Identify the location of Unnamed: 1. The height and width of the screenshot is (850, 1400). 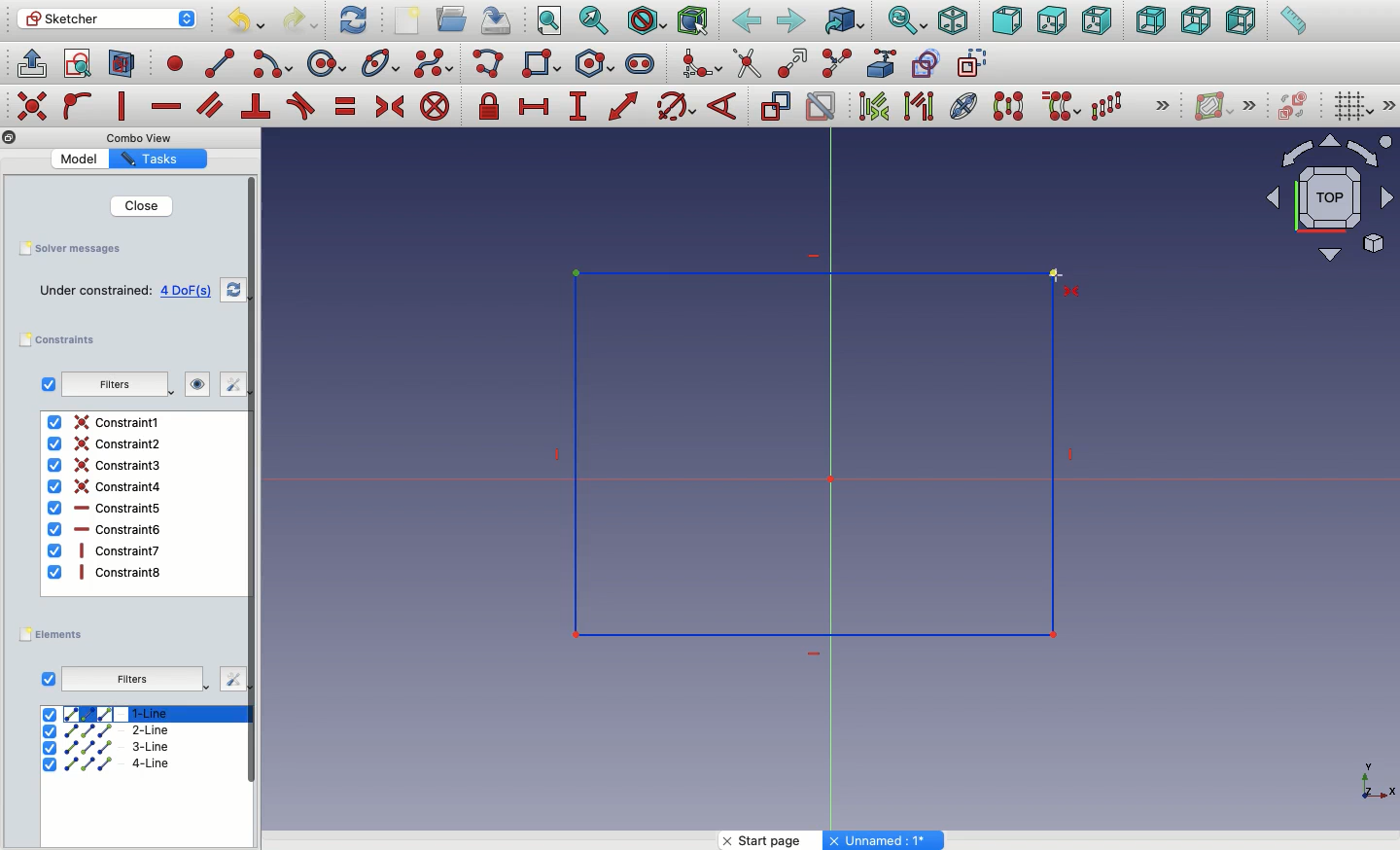
(885, 840).